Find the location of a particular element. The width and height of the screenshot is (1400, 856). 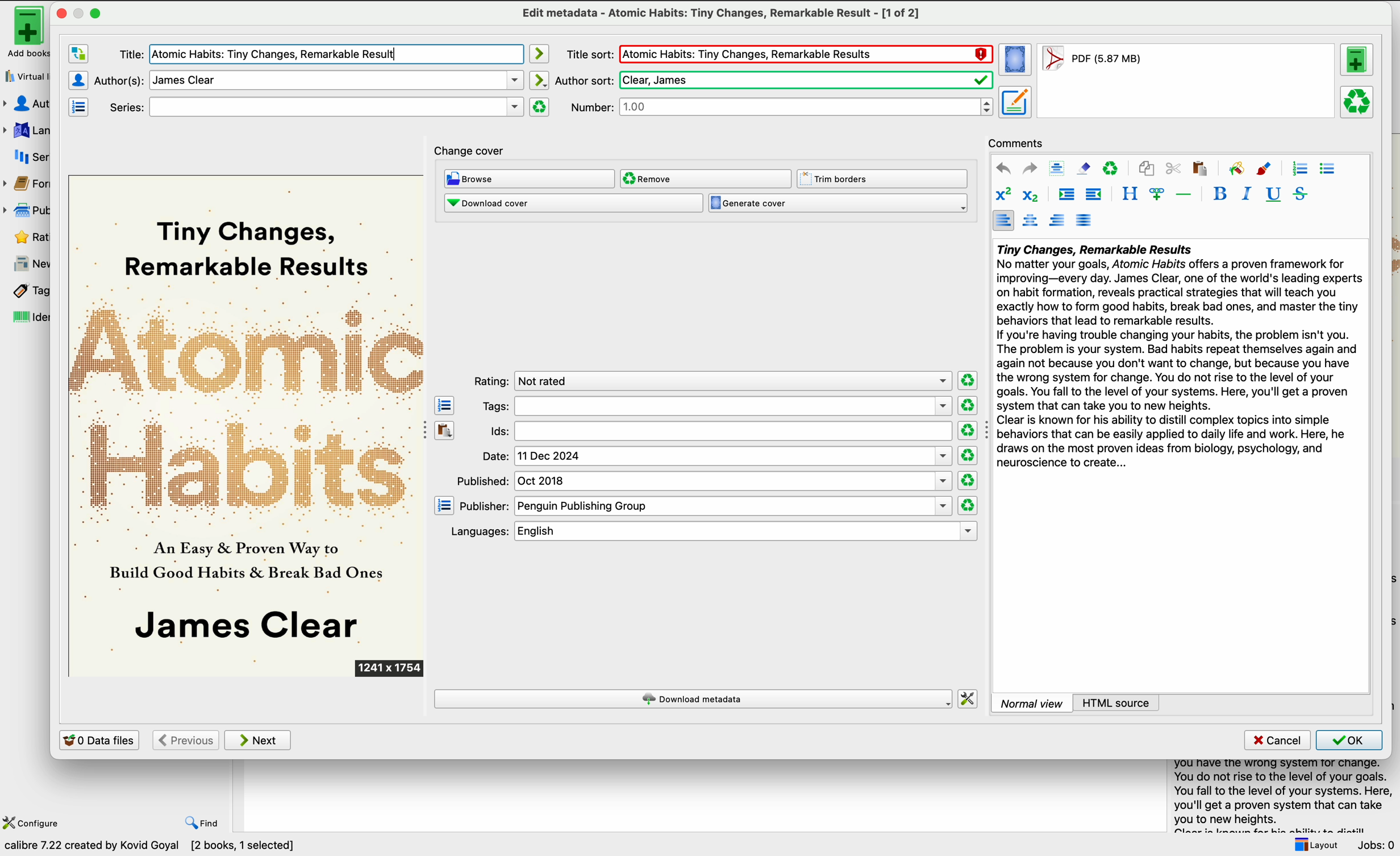

remove is located at coordinates (706, 179).